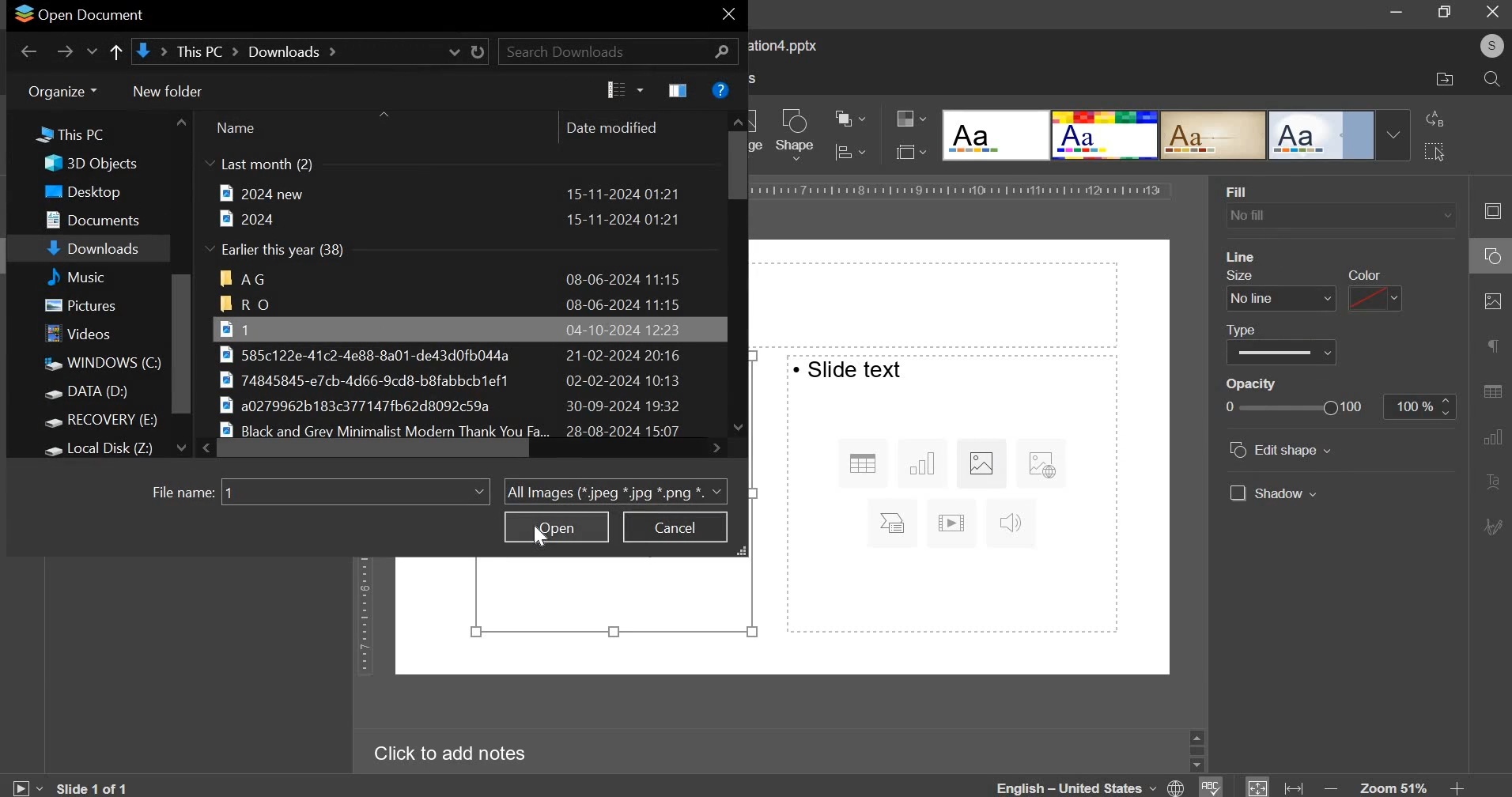 This screenshot has height=797, width=1512. I want to click on click to add notes, so click(443, 754).